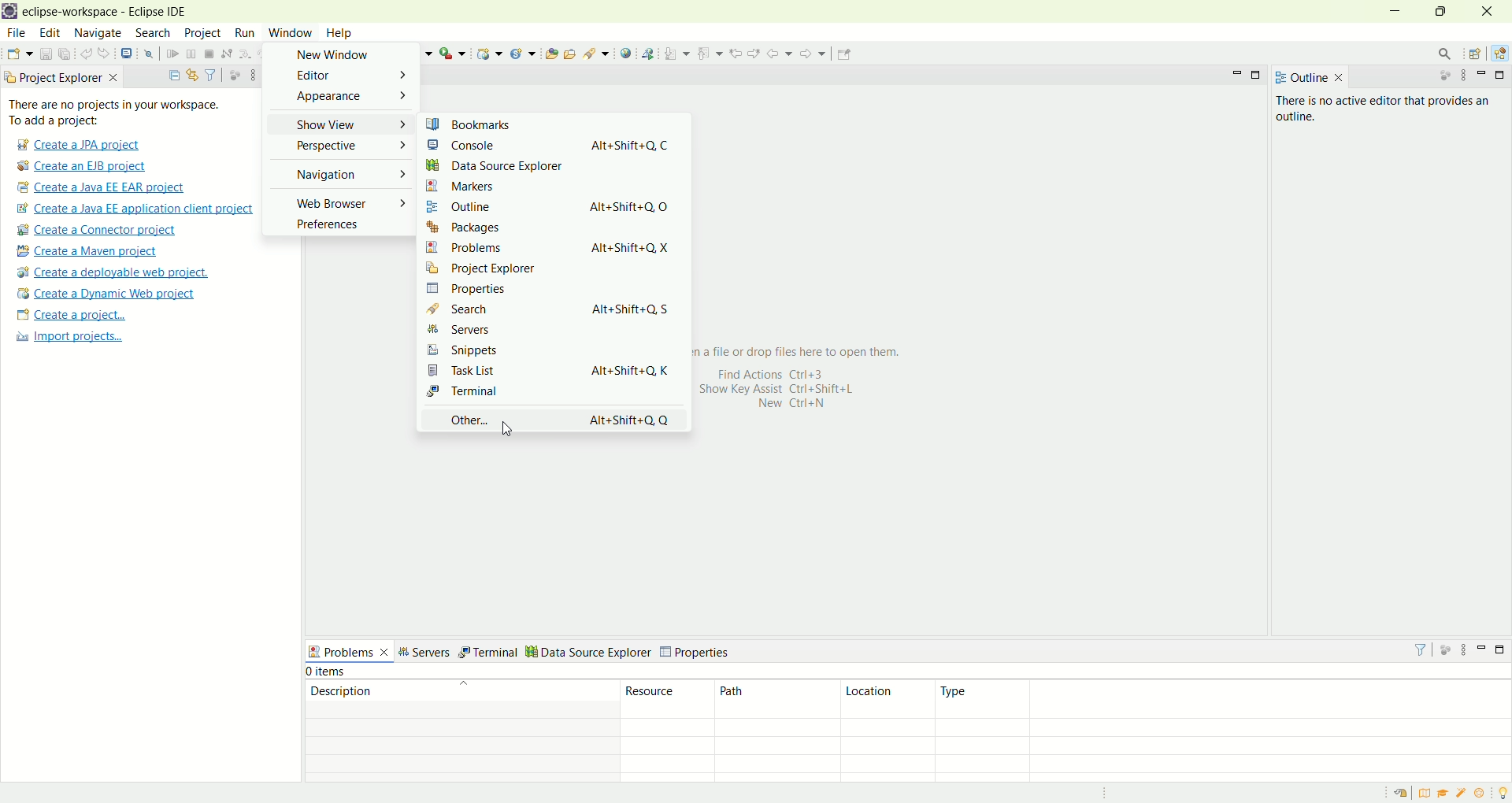  What do you see at coordinates (664, 698) in the screenshot?
I see `resource` at bounding box center [664, 698].